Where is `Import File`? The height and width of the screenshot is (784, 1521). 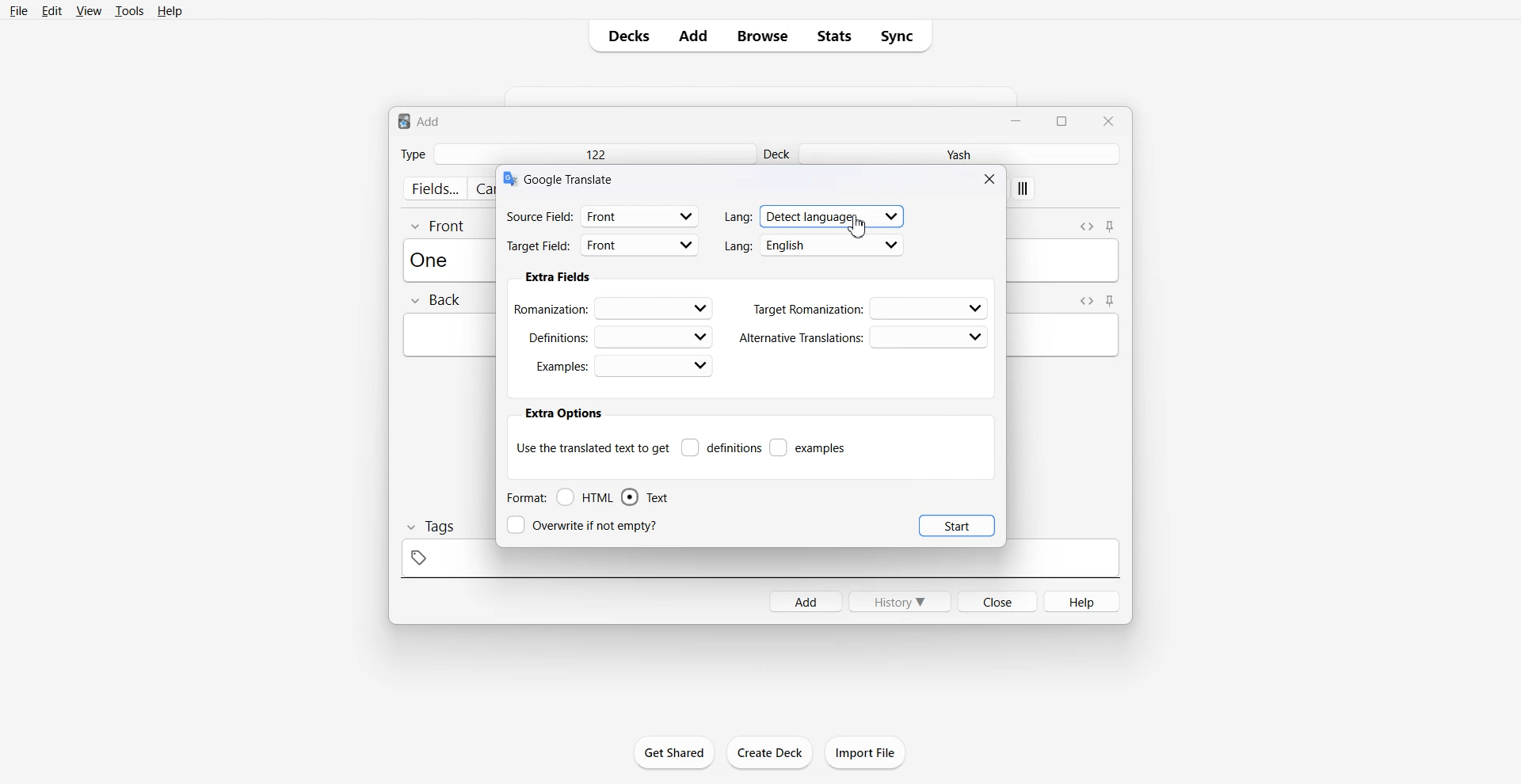
Import File is located at coordinates (866, 752).